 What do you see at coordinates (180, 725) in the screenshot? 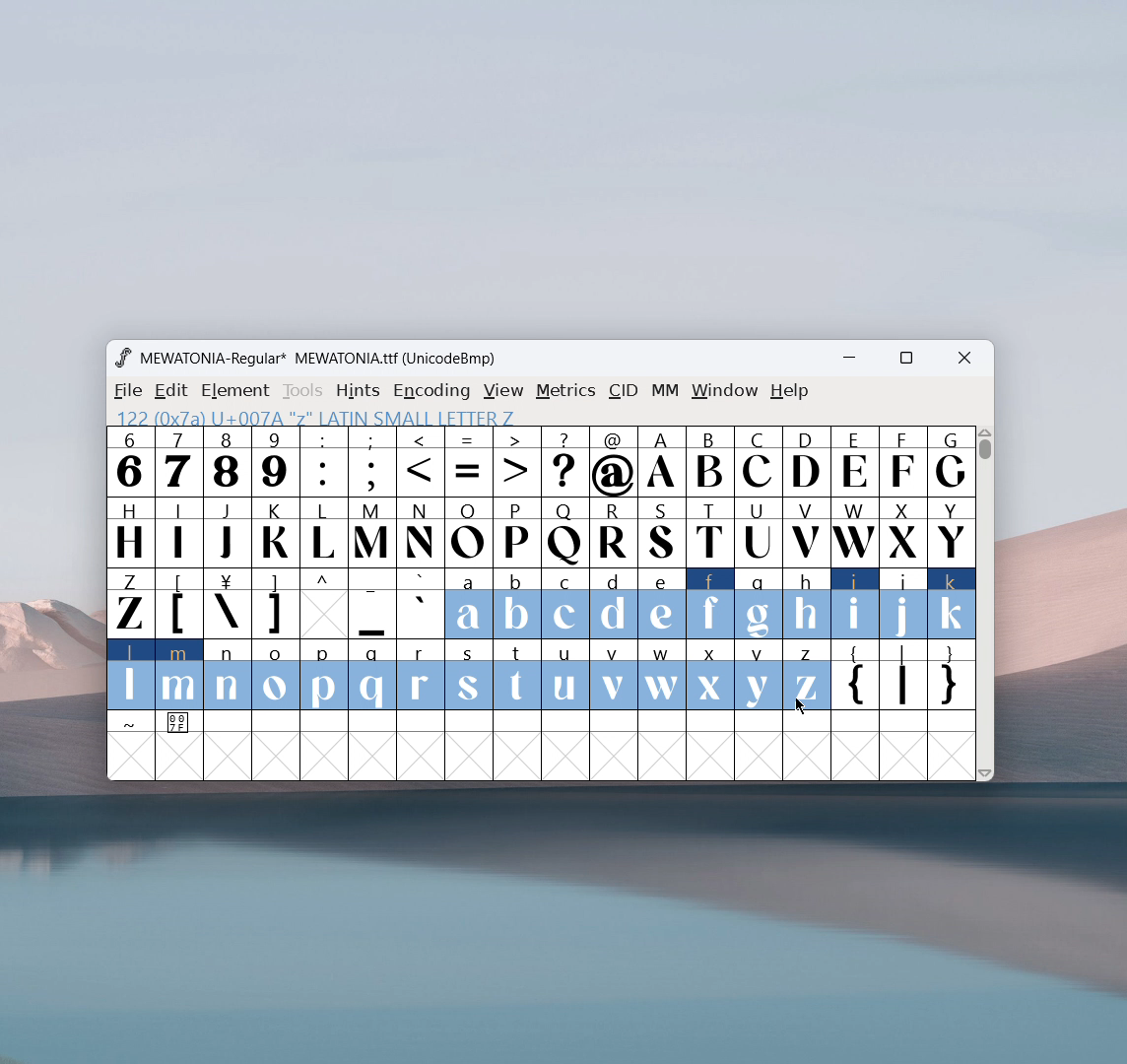
I see `0 0 7 F` at bounding box center [180, 725].